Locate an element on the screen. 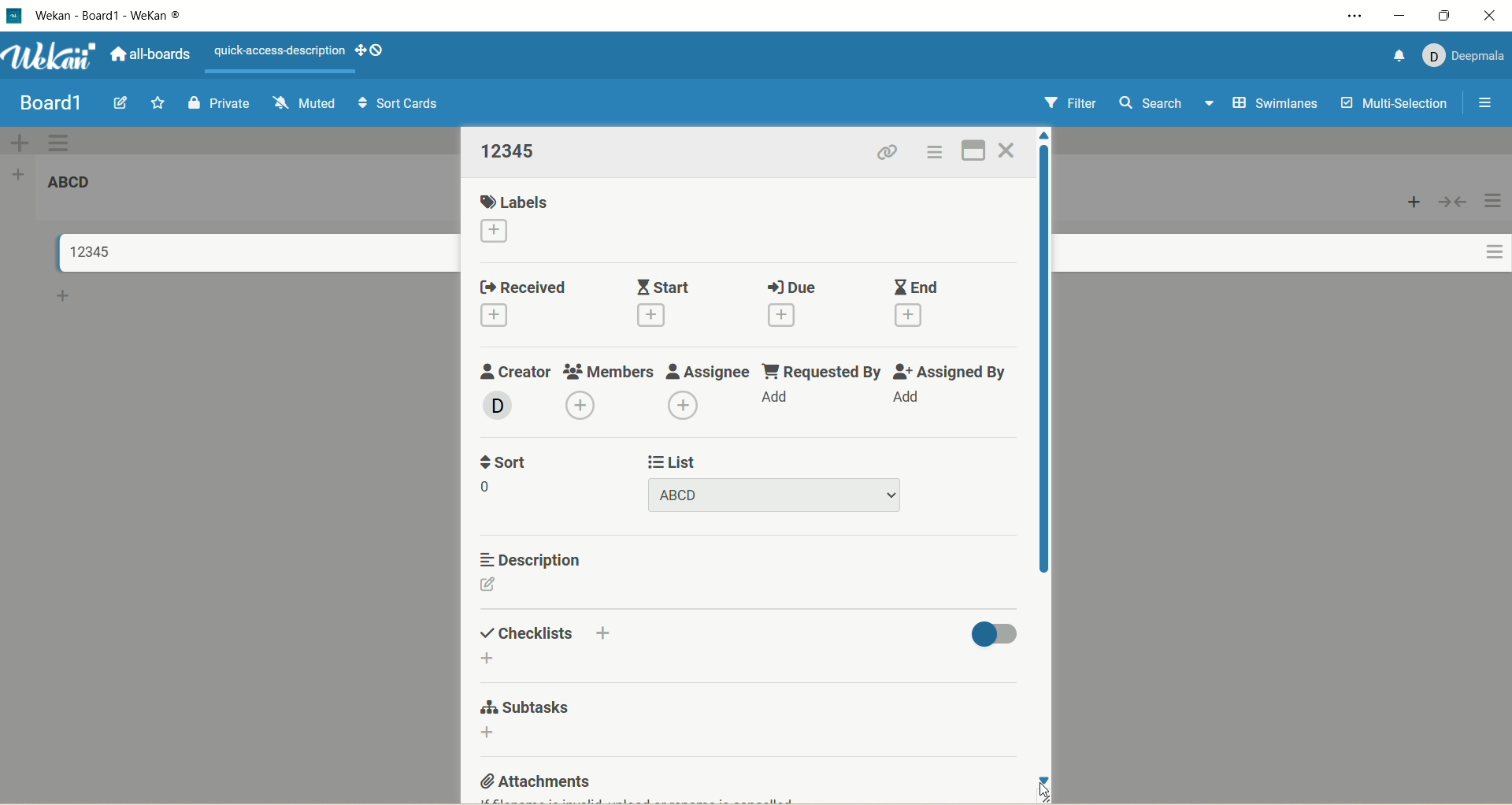 The width and height of the screenshot is (1512, 805). private is located at coordinates (220, 101).